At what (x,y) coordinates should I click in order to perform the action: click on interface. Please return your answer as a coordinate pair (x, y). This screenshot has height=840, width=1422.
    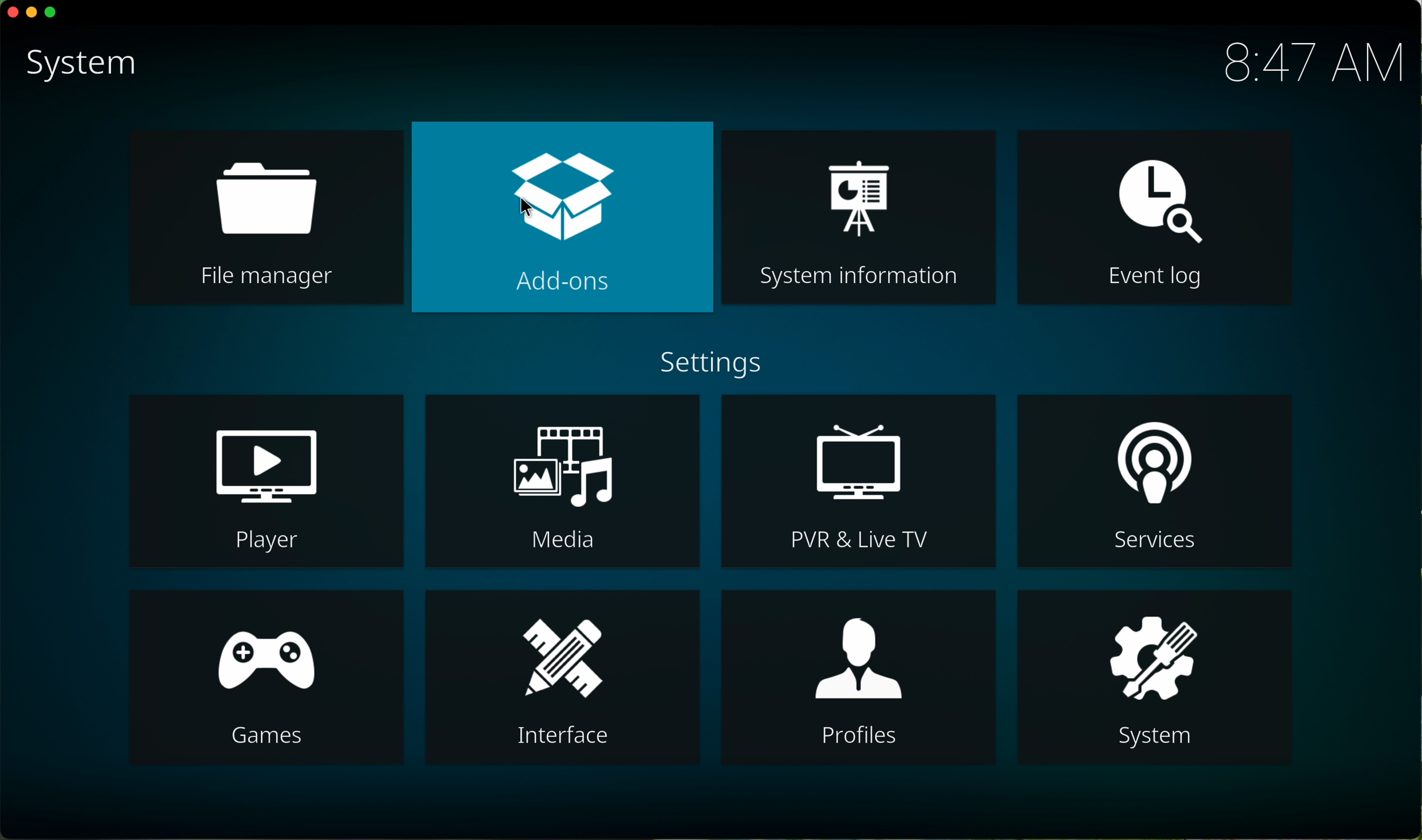
    Looking at the image, I should click on (565, 676).